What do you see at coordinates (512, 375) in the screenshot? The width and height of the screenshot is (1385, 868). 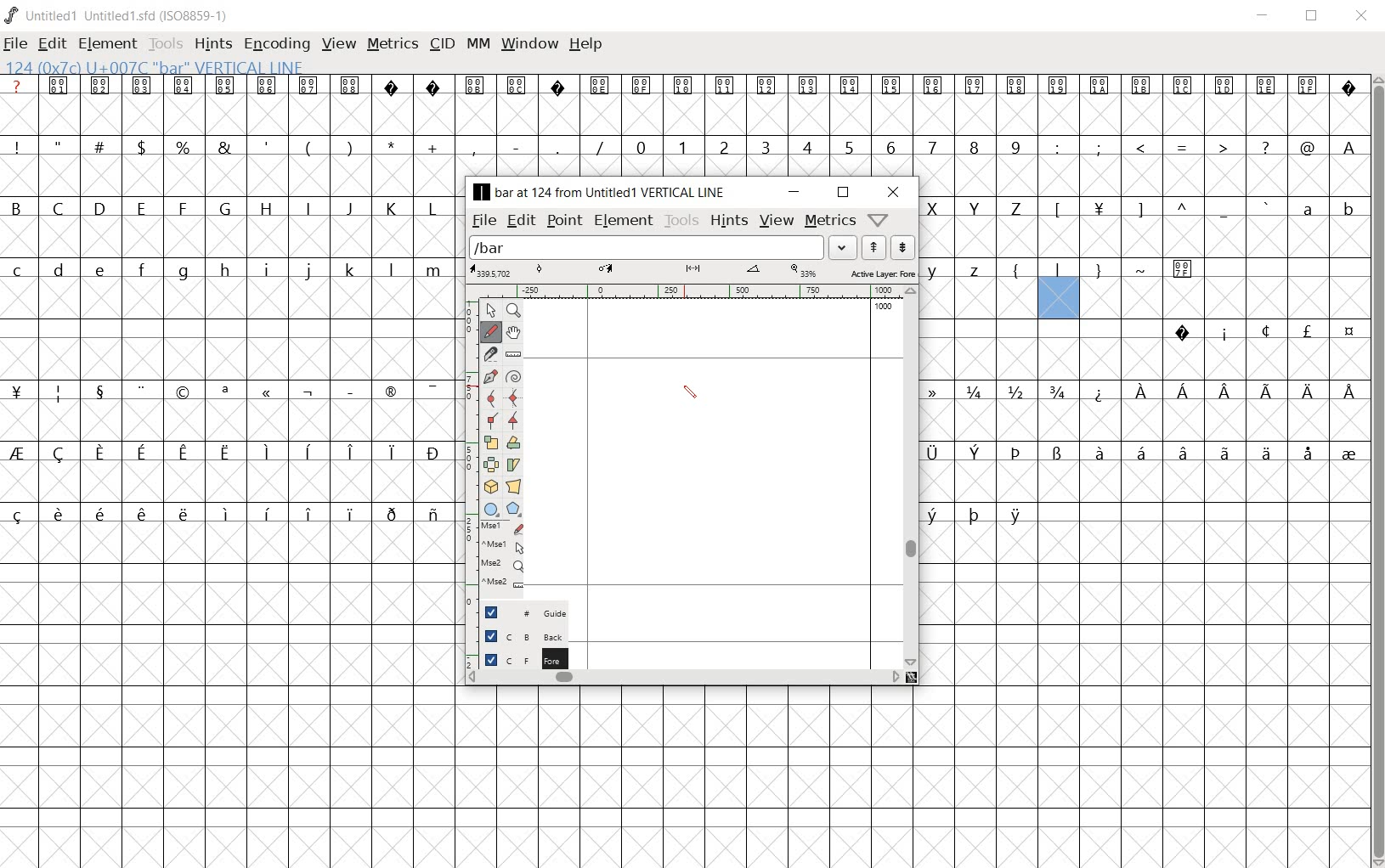 I see `change whether spiro is active or not` at bounding box center [512, 375].